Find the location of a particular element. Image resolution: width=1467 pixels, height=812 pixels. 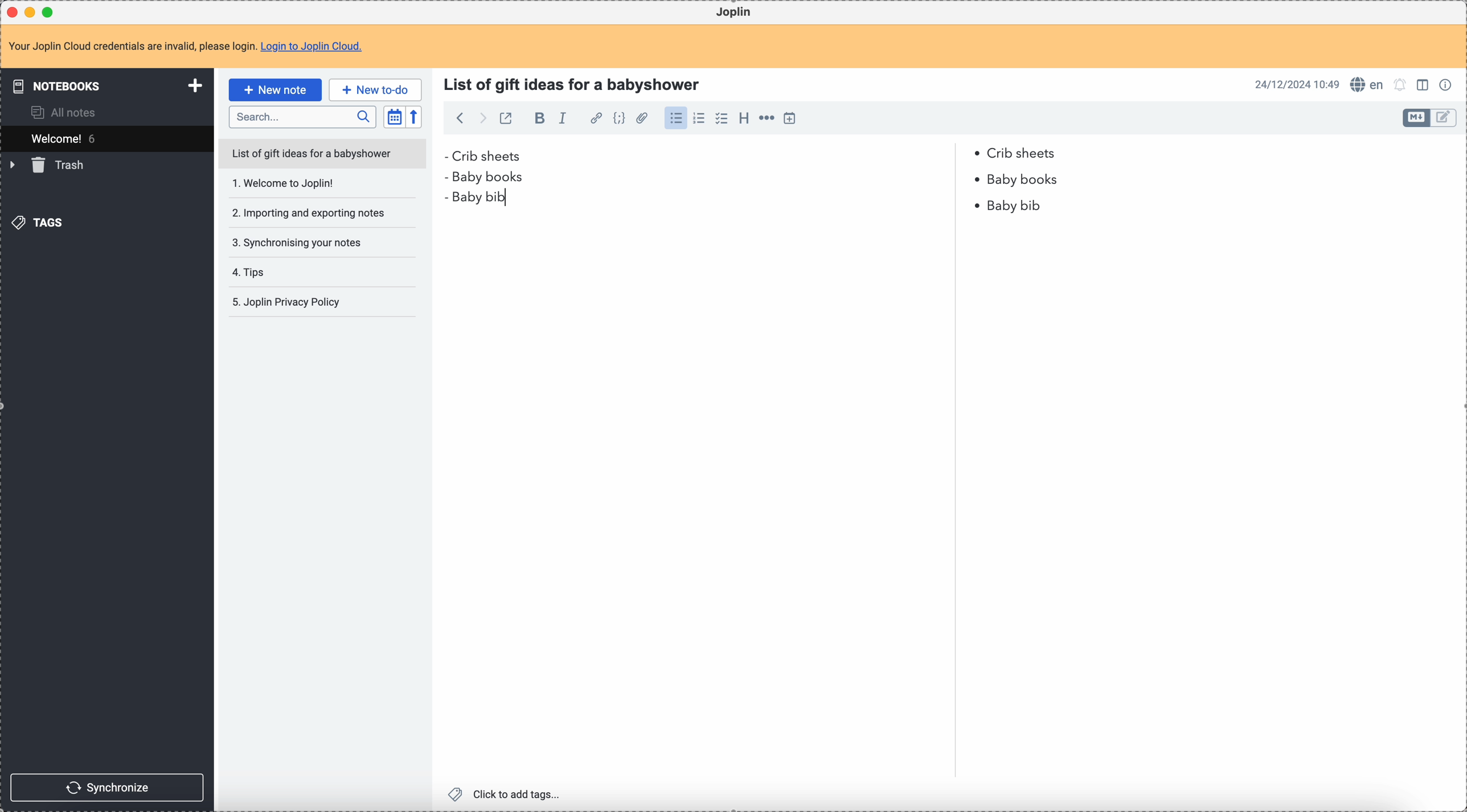

toggle edit layout is located at coordinates (1444, 118).